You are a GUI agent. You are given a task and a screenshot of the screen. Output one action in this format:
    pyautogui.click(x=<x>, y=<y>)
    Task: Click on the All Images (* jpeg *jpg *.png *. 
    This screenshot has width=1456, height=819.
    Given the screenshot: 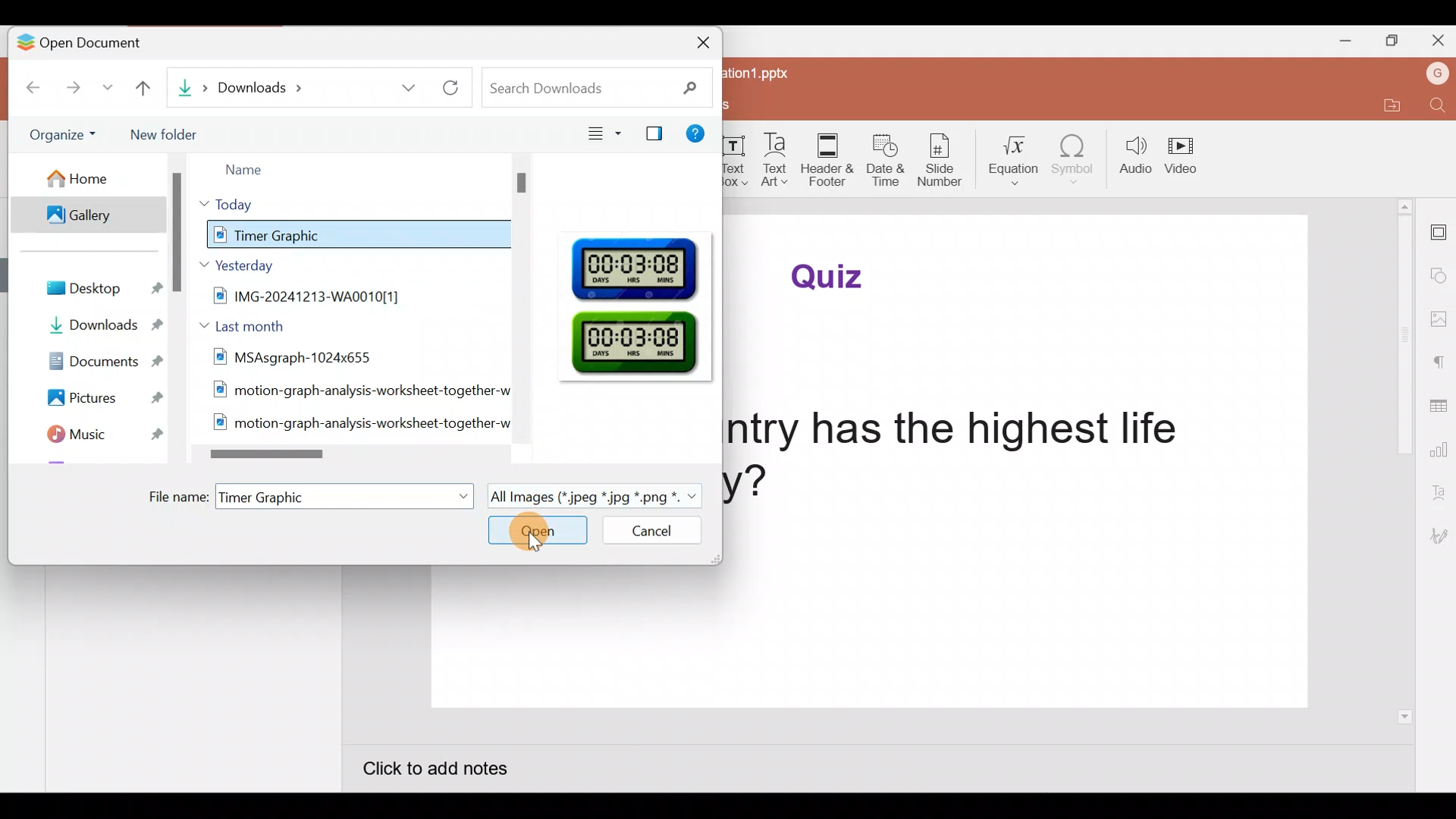 What is the action you would take?
    pyautogui.click(x=592, y=493)
    